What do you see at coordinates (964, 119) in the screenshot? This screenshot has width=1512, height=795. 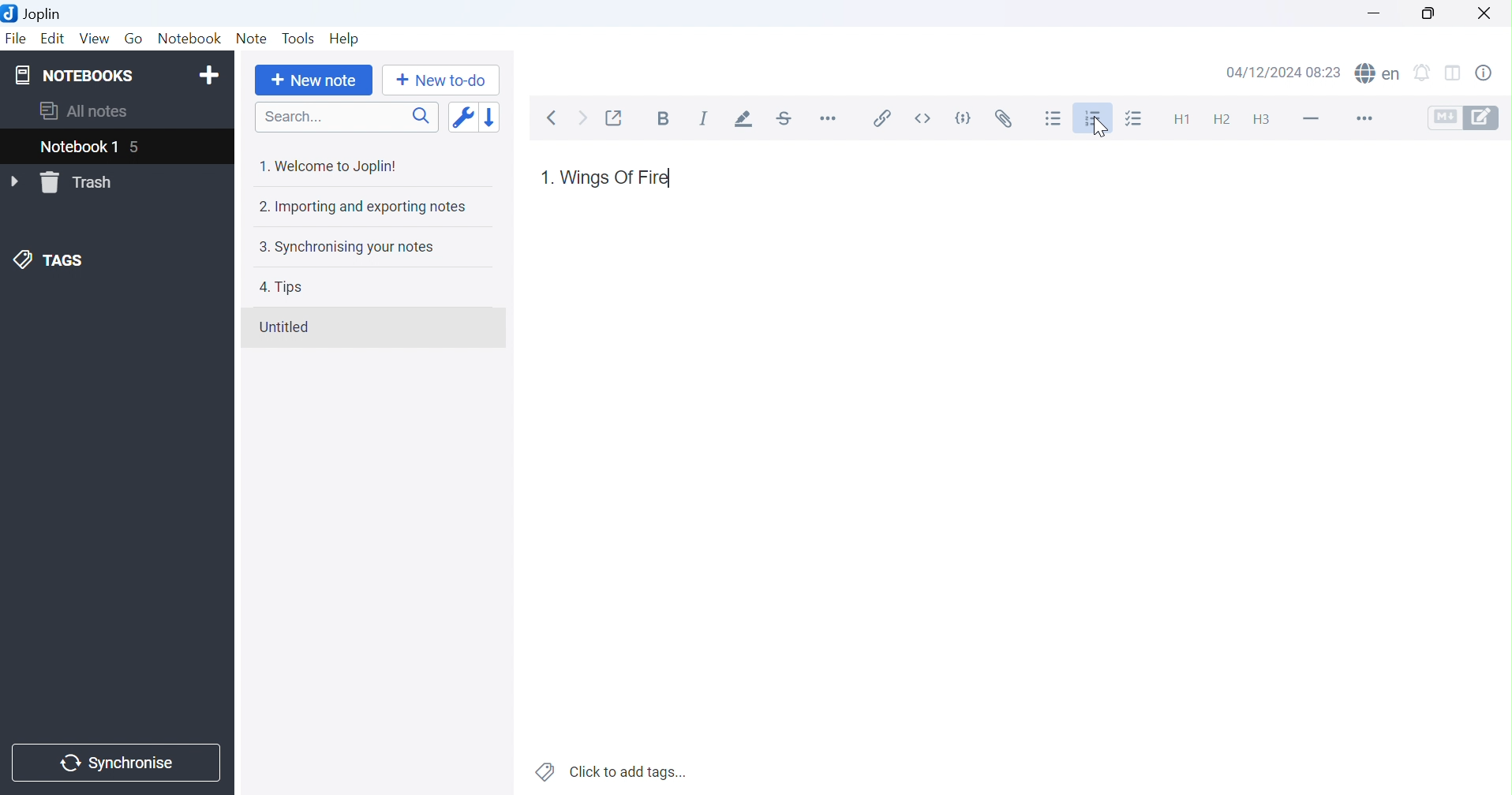 I see `Code` at bounding box center [964, 119].